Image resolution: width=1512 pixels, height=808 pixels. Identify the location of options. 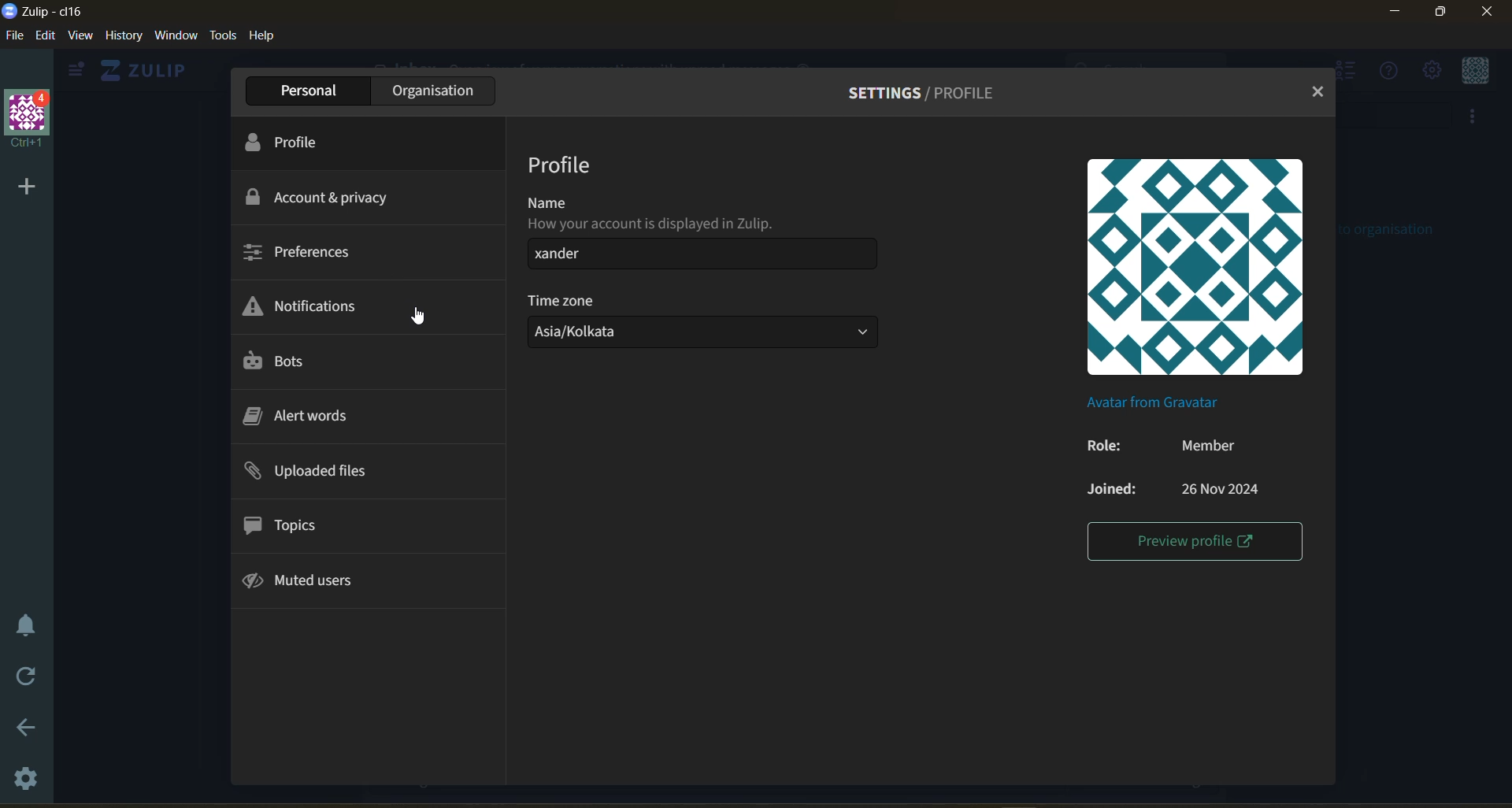
(707, 256).